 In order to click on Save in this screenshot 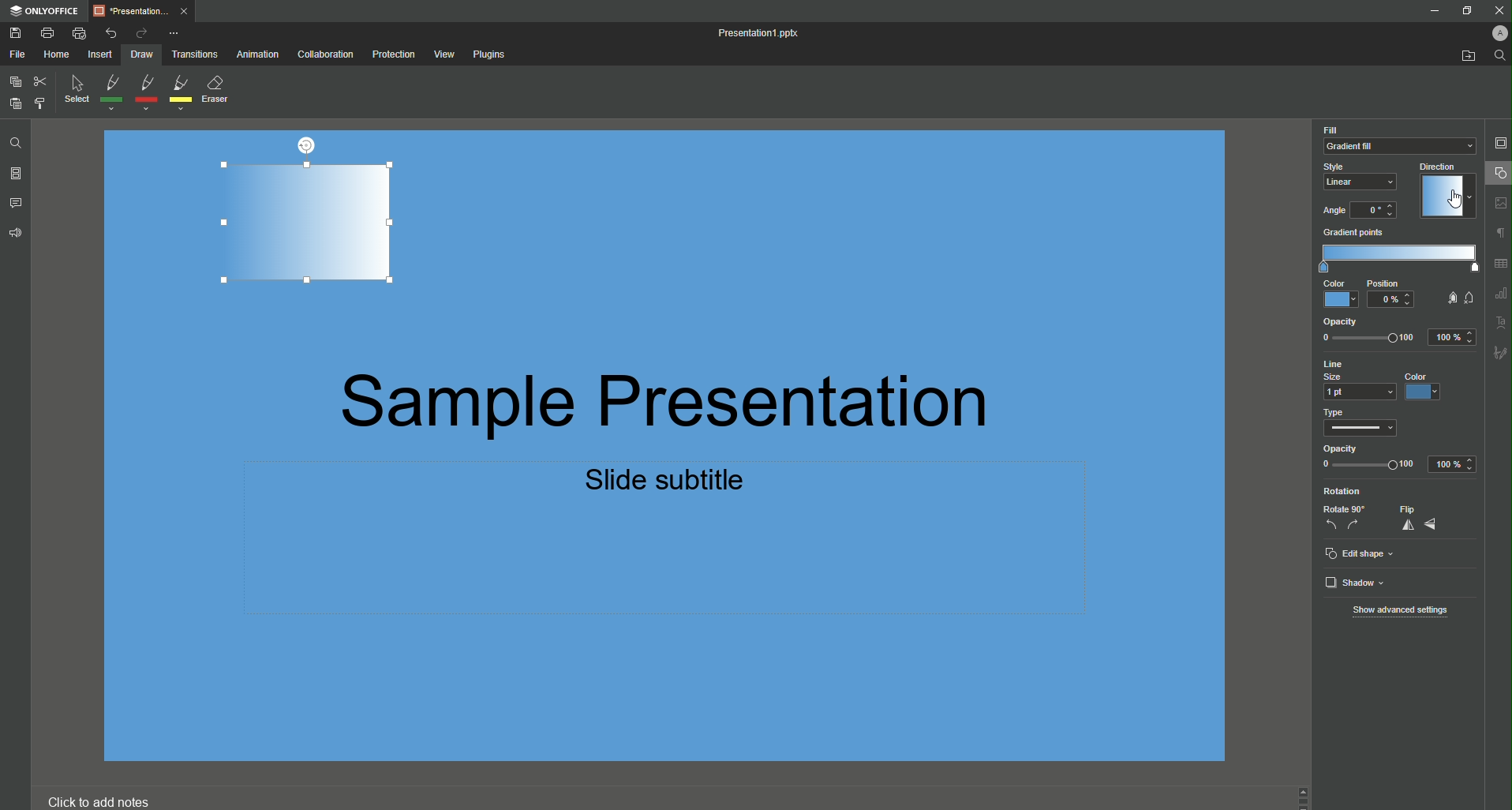, I will do `click(17, 34)`.